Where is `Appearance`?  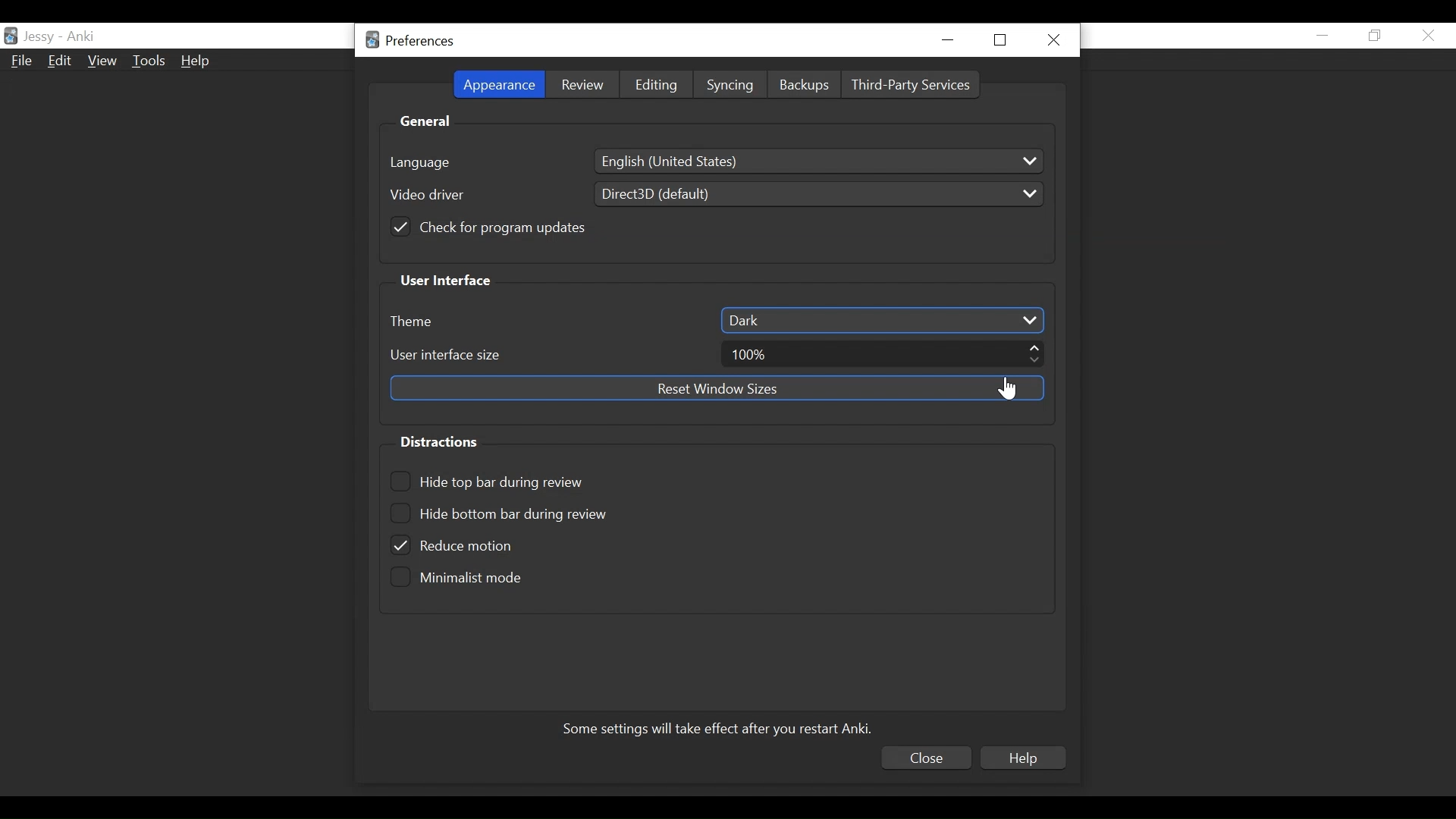
Appearance is located at coordinates (497, 84).